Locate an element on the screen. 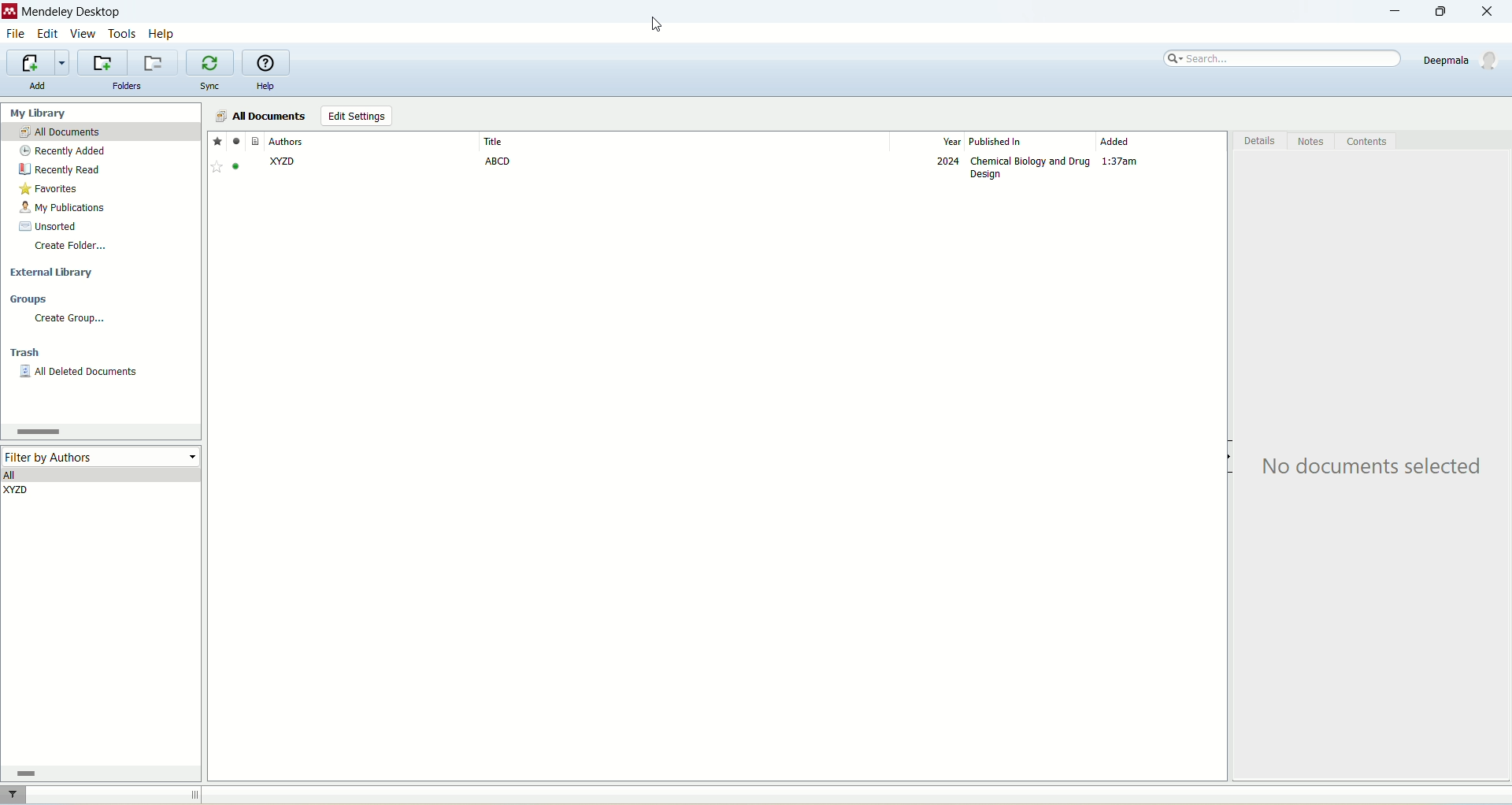  filter is located at coordinates (15, 795).